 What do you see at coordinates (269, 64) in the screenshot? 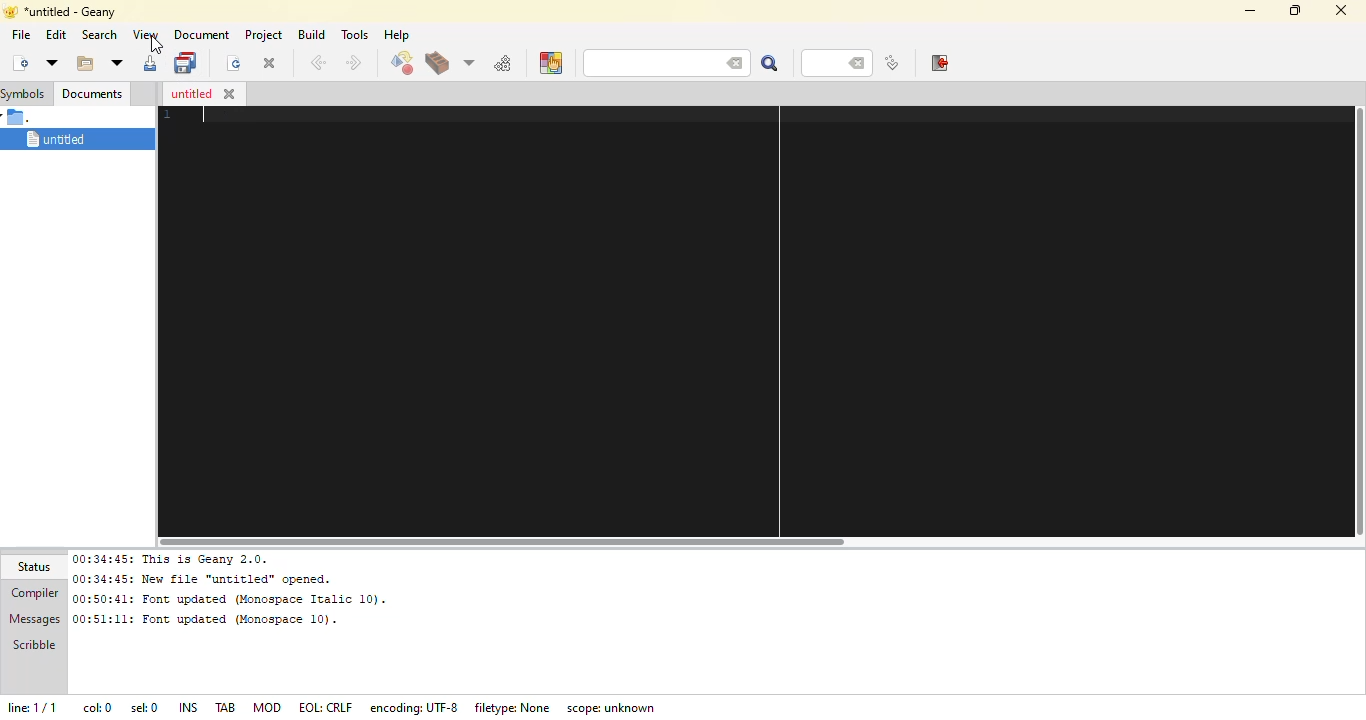
I see `close` at bounding box center [269, 64].